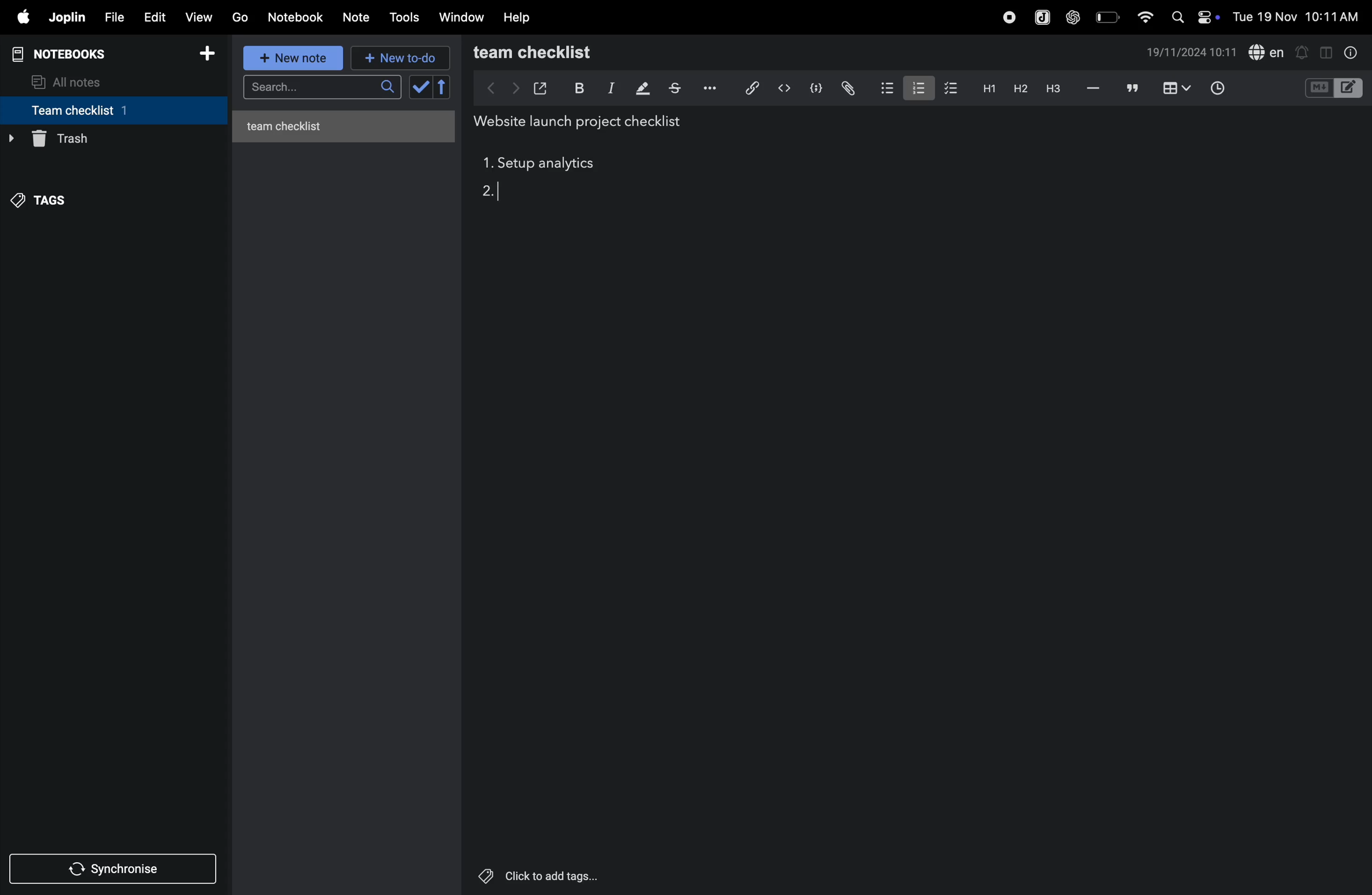  What do you see at coordinates (22, 18) in the screenshot?
I see `apple menu` at bounding box center [22, 18].